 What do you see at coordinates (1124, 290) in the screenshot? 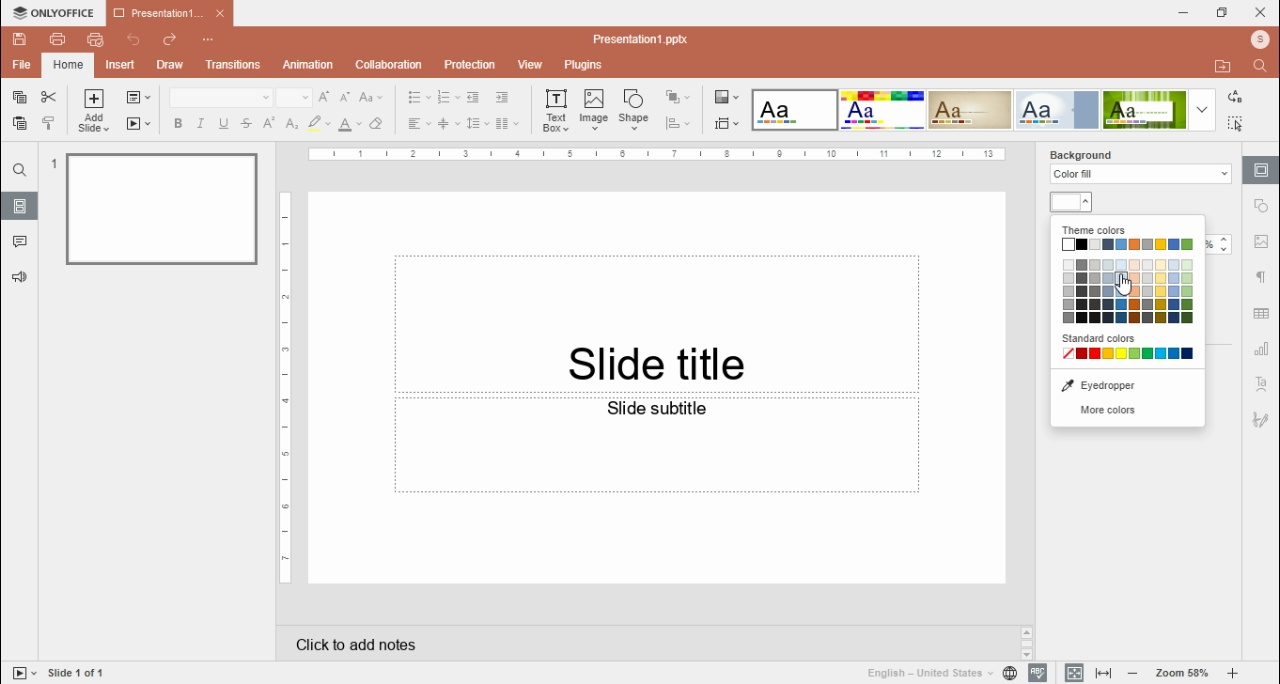
I see `pointer cursor` at bounding box center [1124, 290].